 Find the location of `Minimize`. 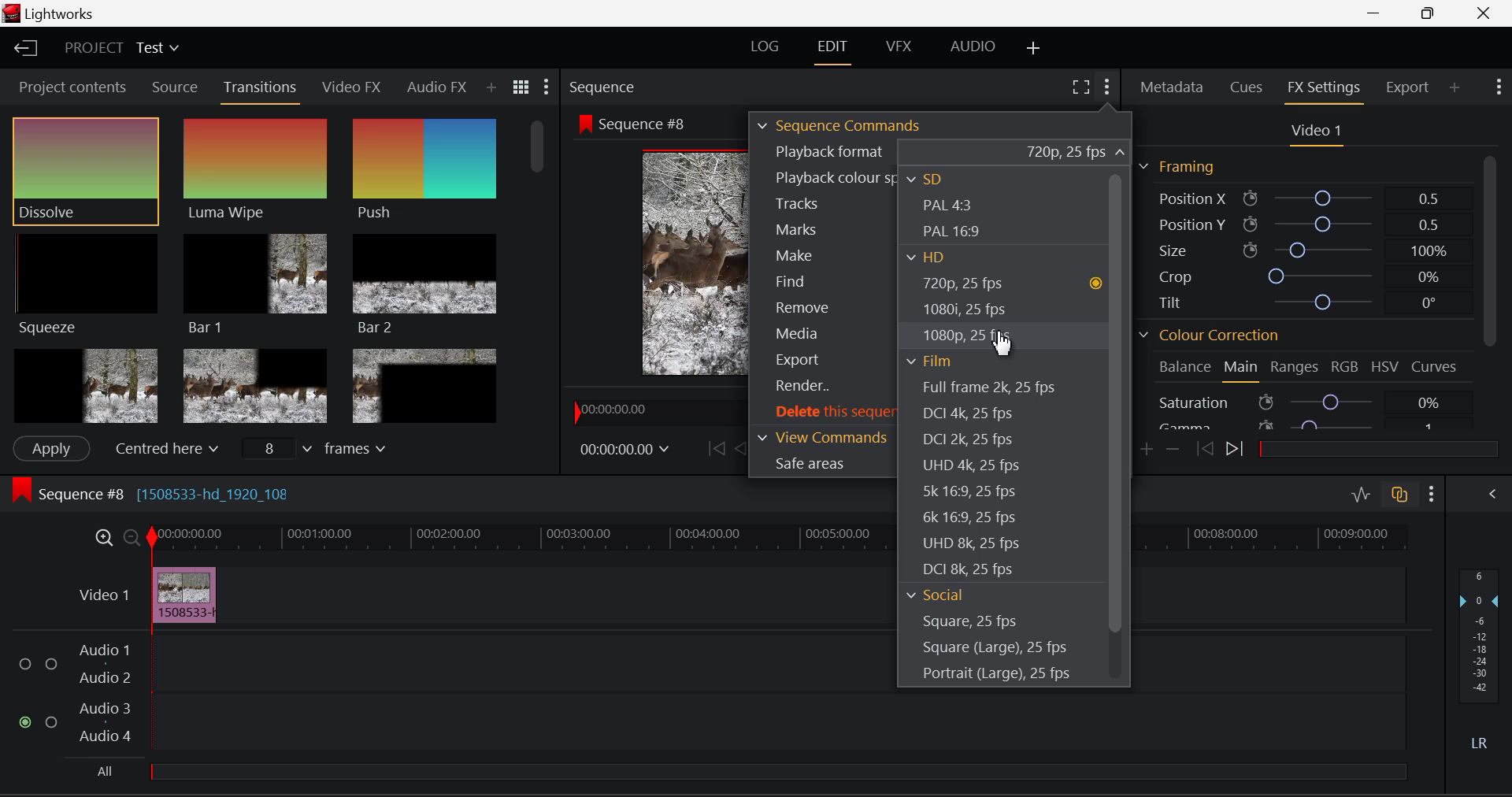

Minimize is located at coordinates (1430, 13).